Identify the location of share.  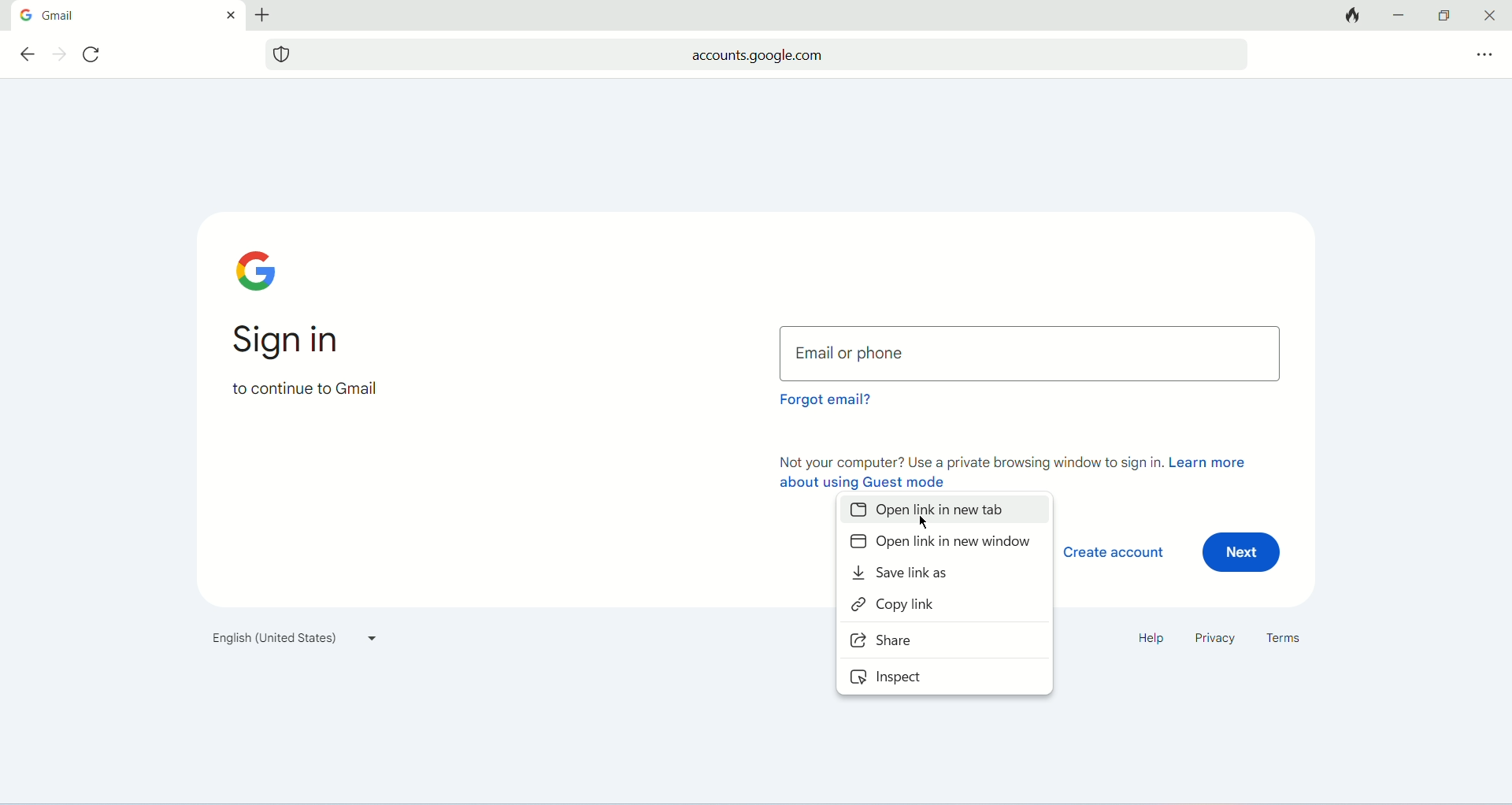
(884, 644).